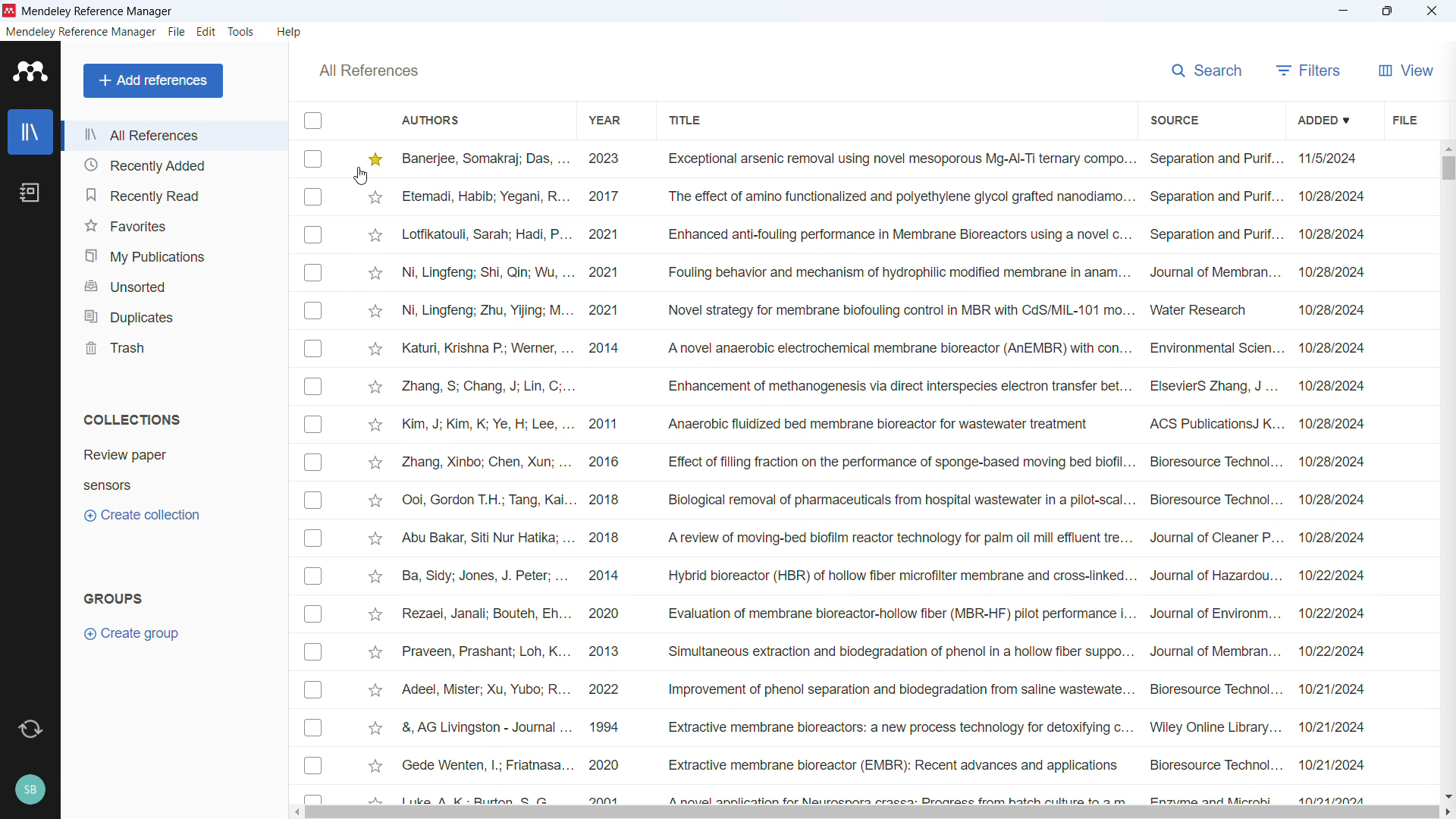  I want to click on trash , so click(174, 346).